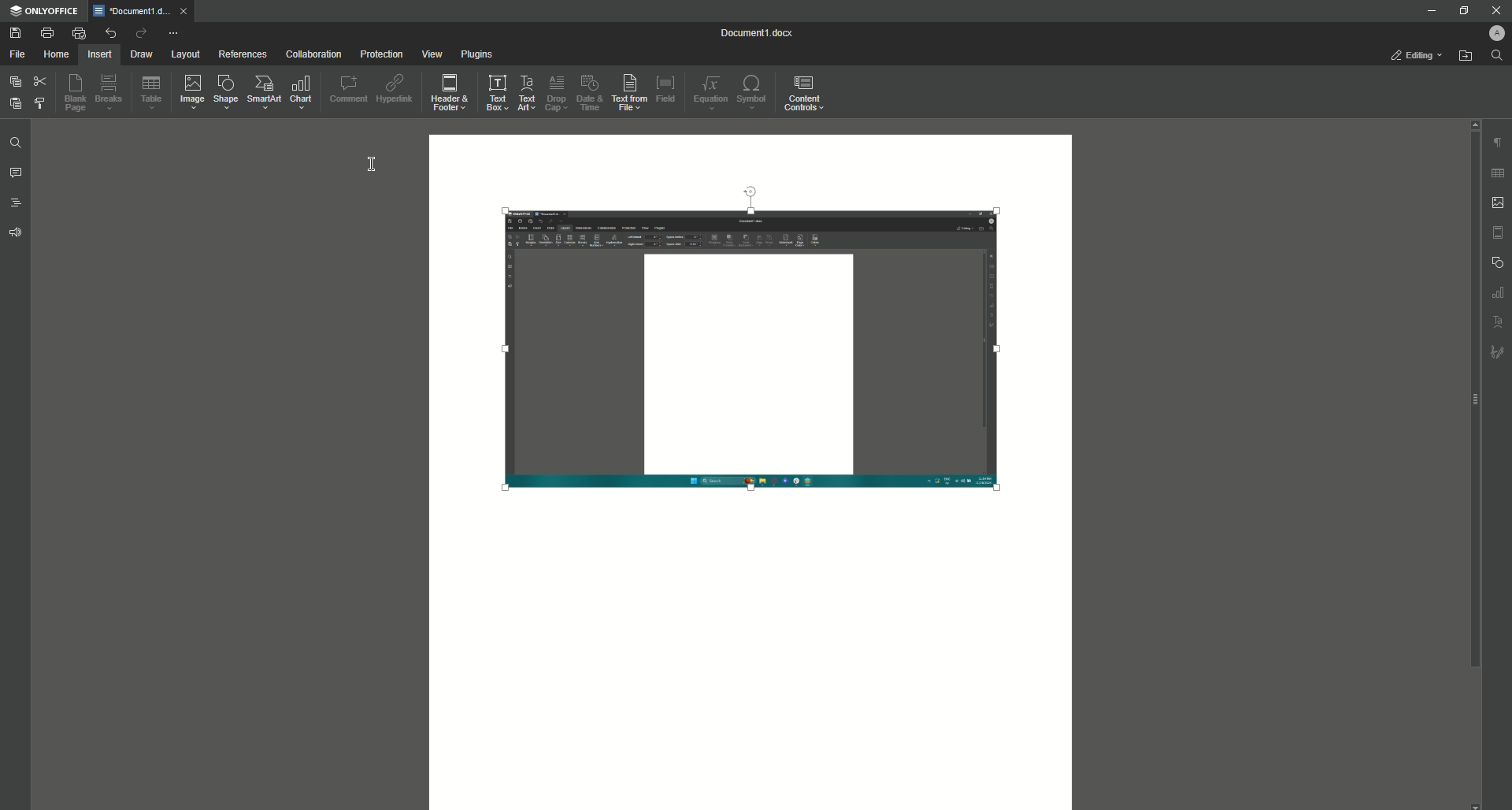 Image resolution: width=1512 pixels, height=810 pixels. I want to click on More Options, so click(174, 34).